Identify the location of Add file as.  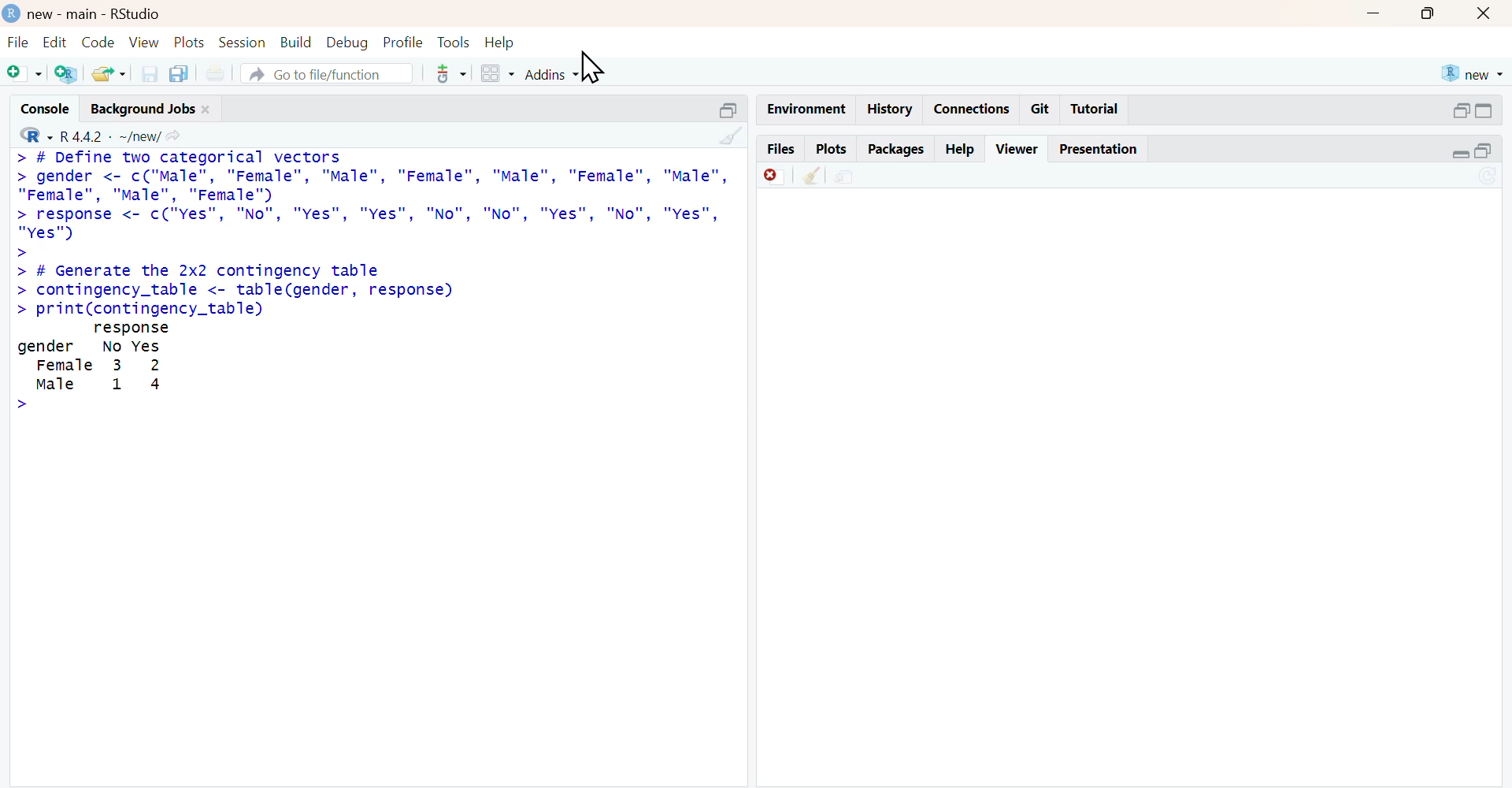
(24, 72).